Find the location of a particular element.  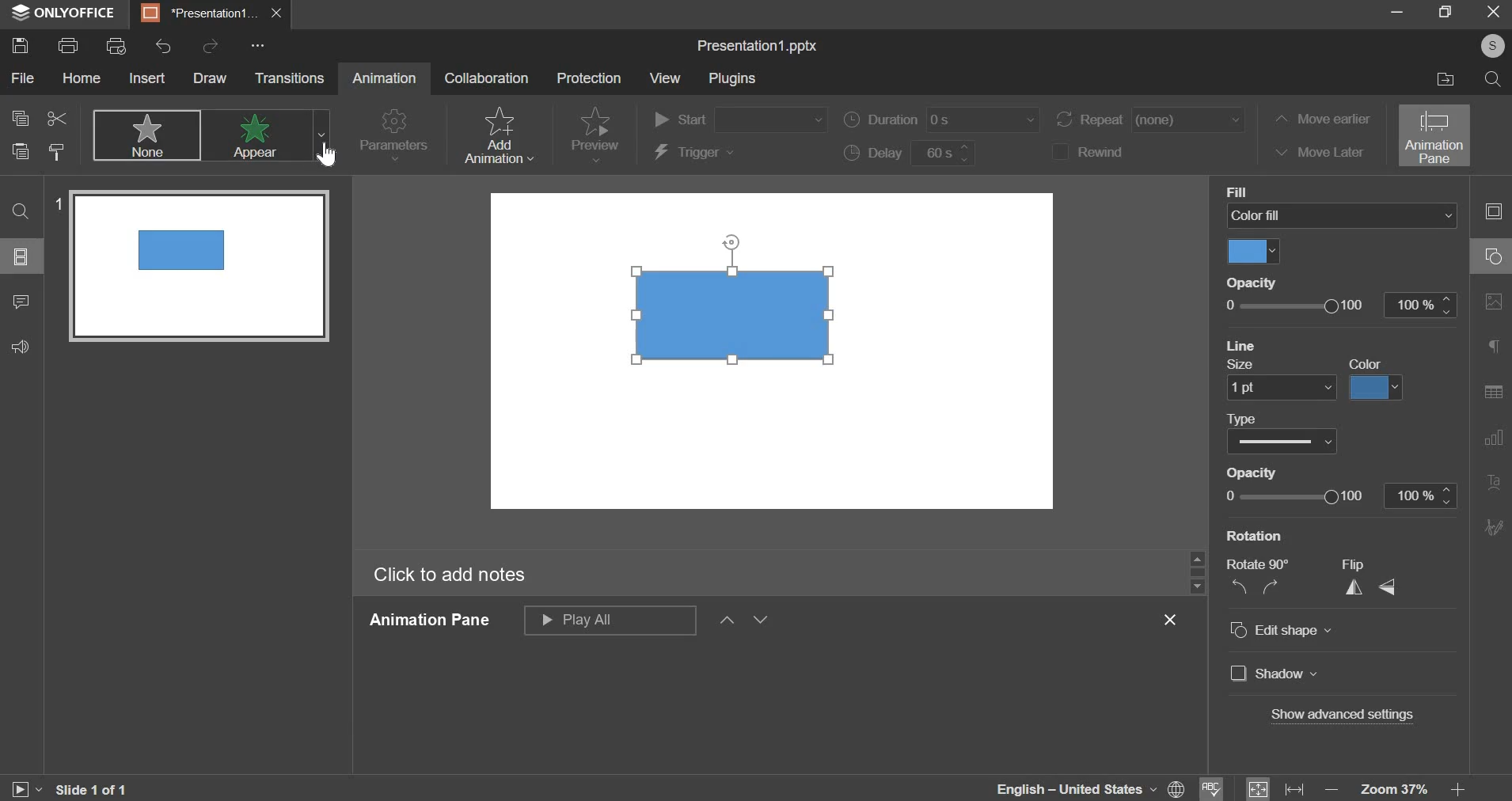

animation pane is located at coordinates (1433, 135).